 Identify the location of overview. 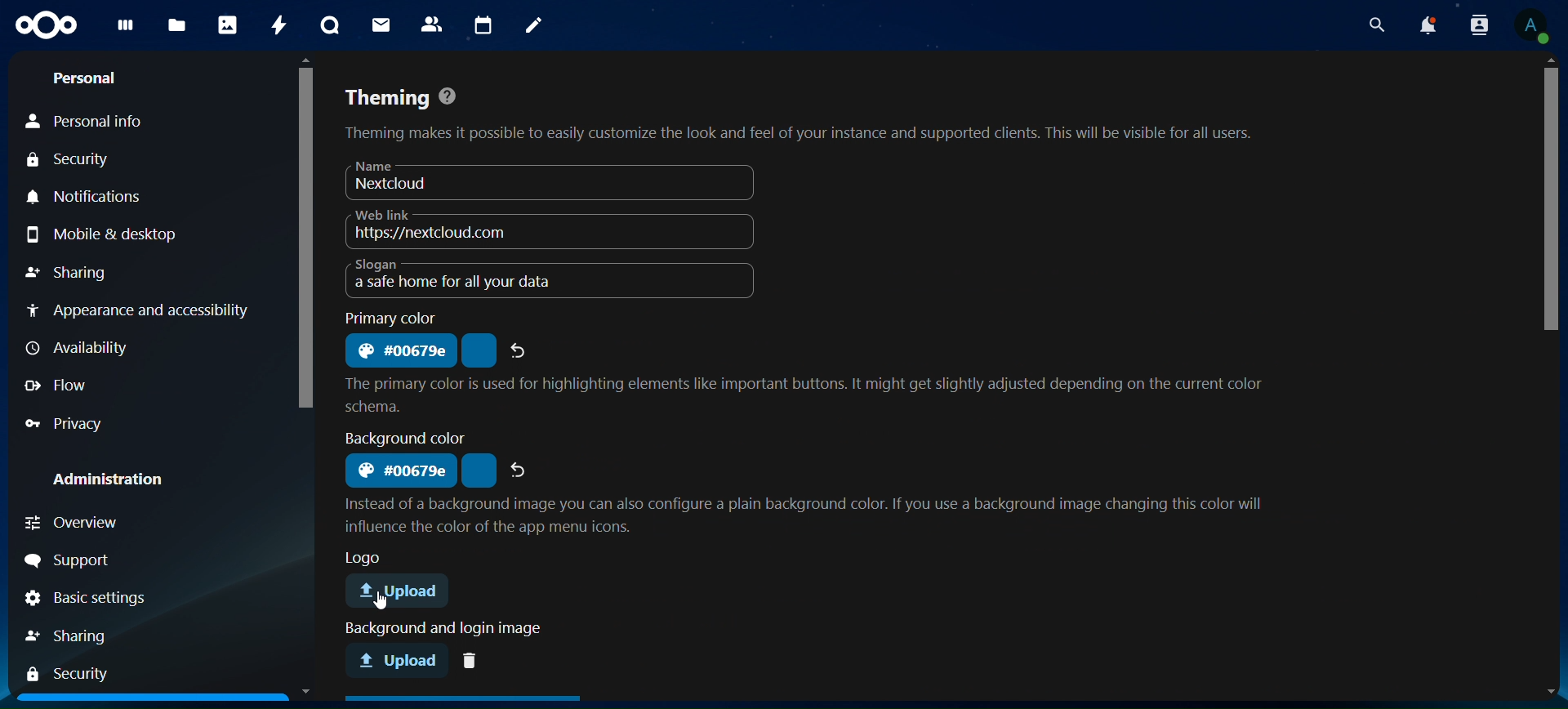
(87, 521).